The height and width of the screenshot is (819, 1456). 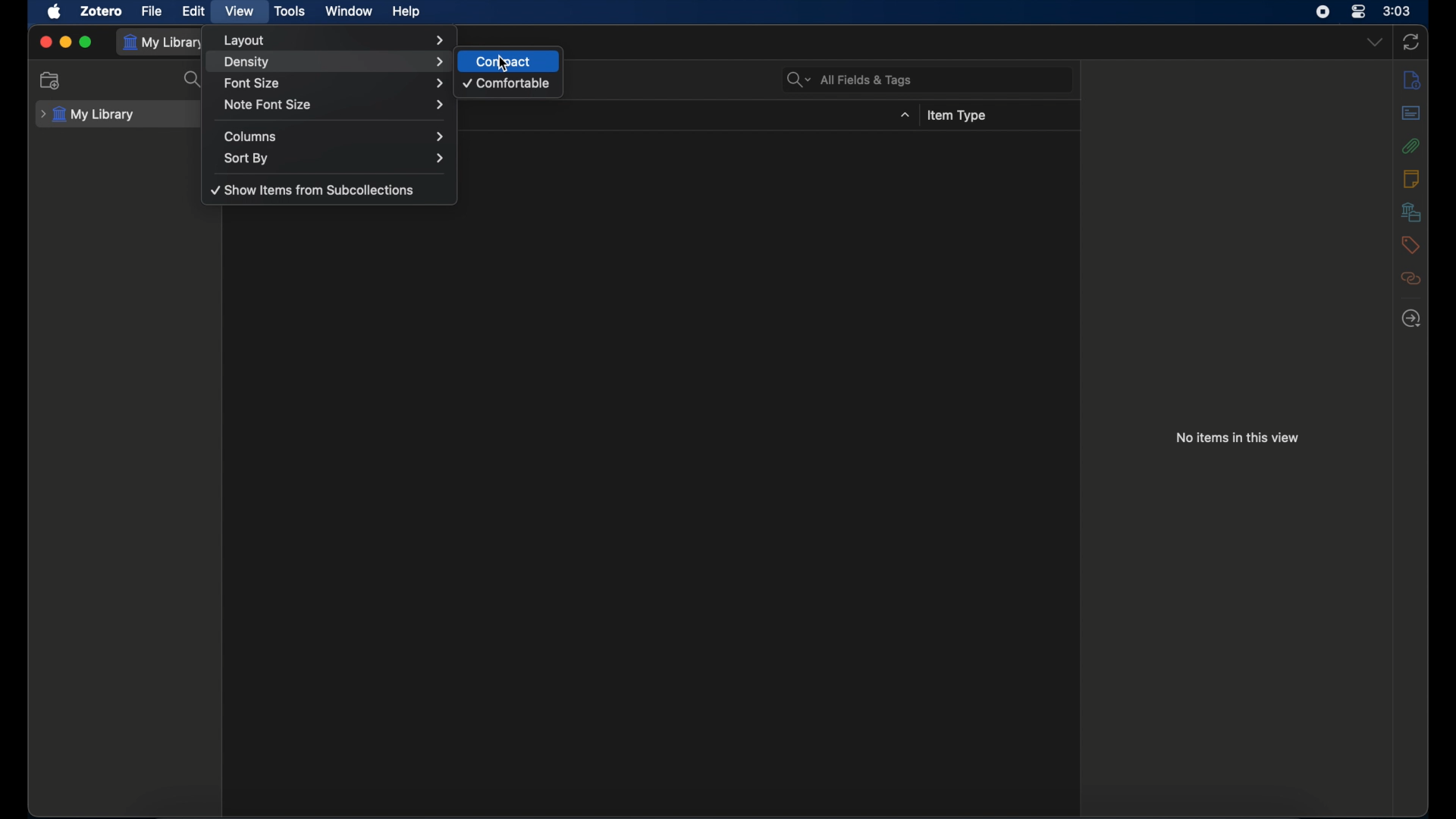 I want to click on libraries, so click(x=1414, y=212).